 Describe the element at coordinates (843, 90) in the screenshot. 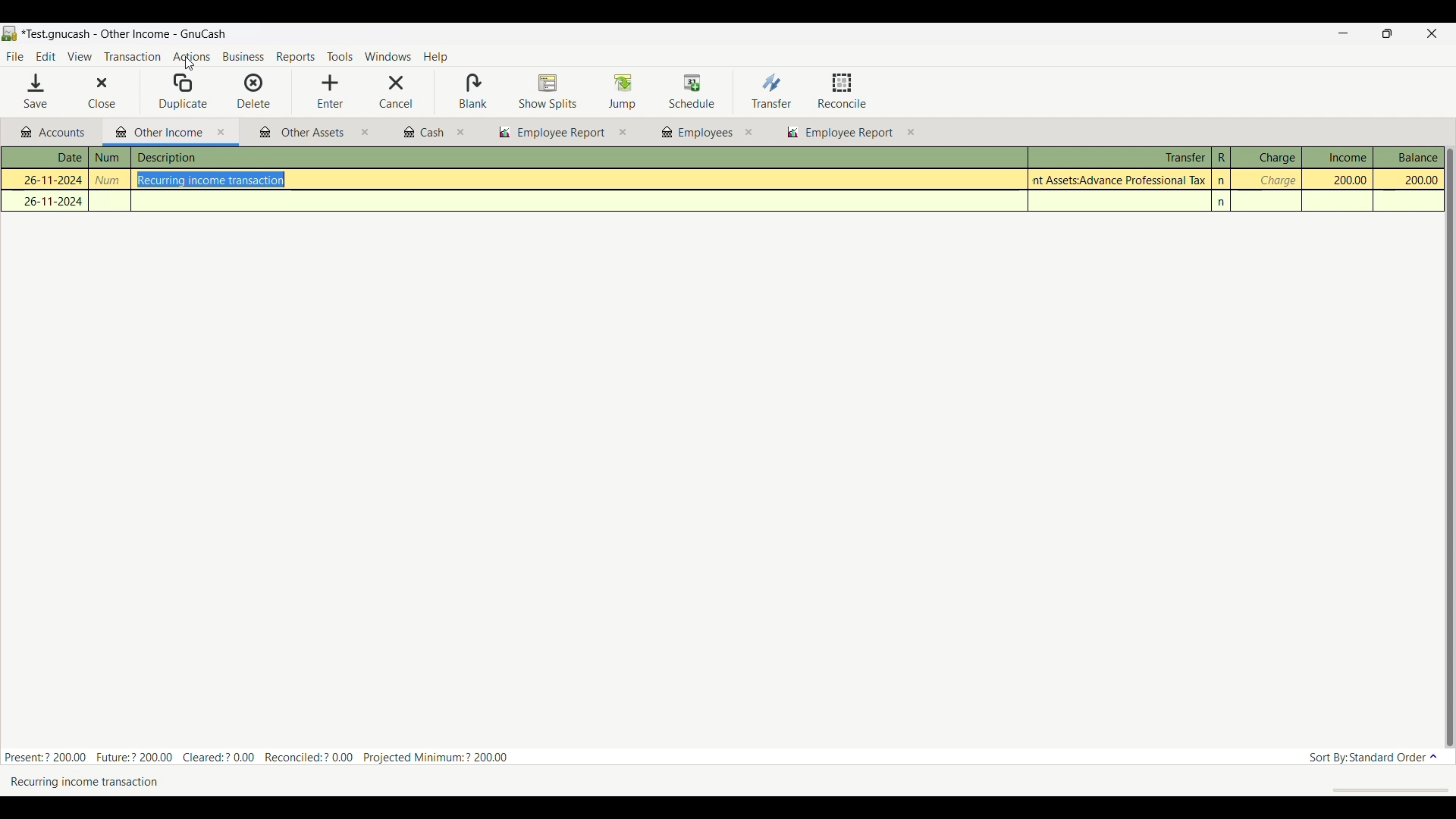

I see `Reconcile` at that location.